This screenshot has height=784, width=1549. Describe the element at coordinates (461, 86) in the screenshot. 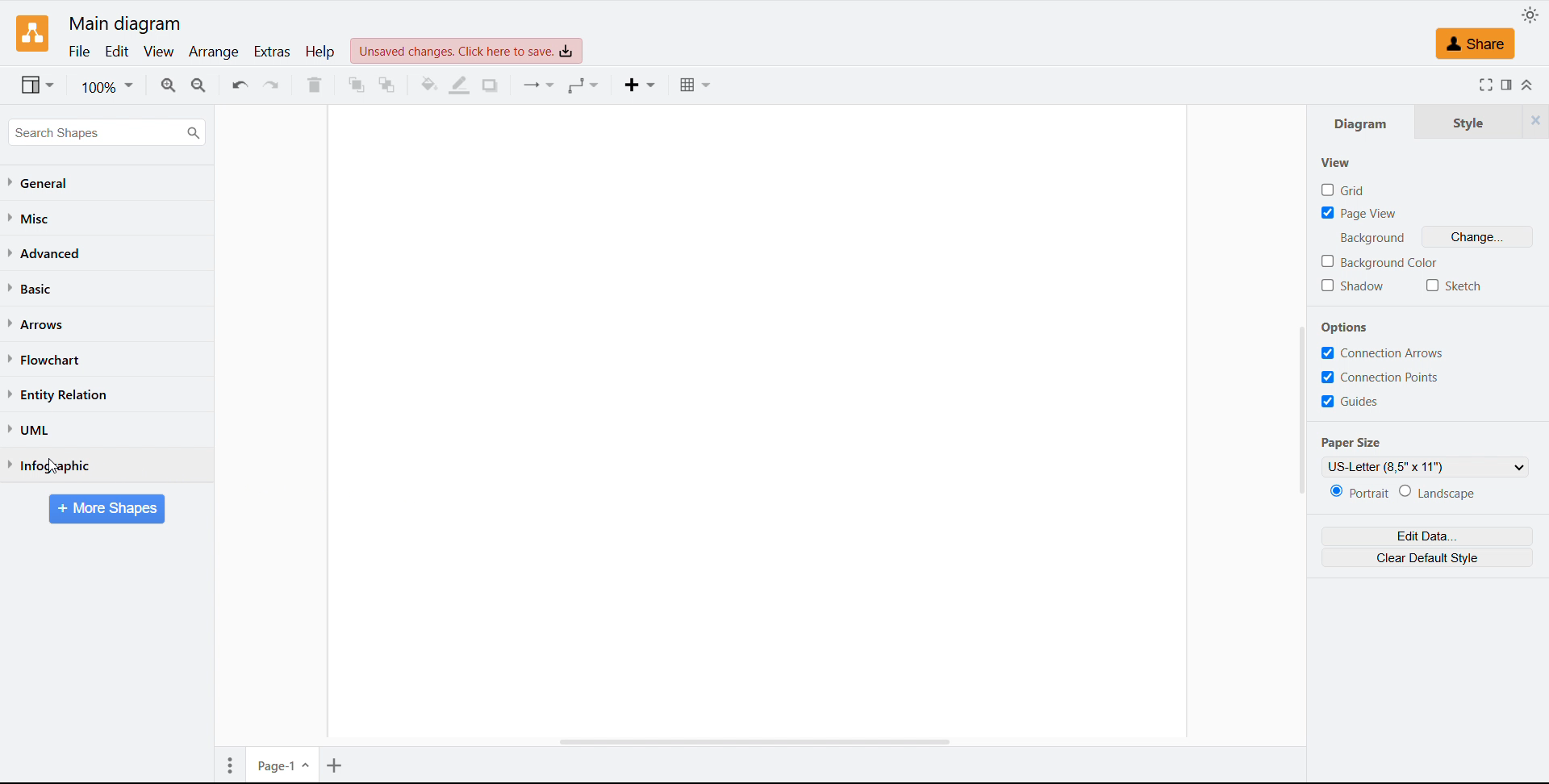

I see `Line colour ` at that location.